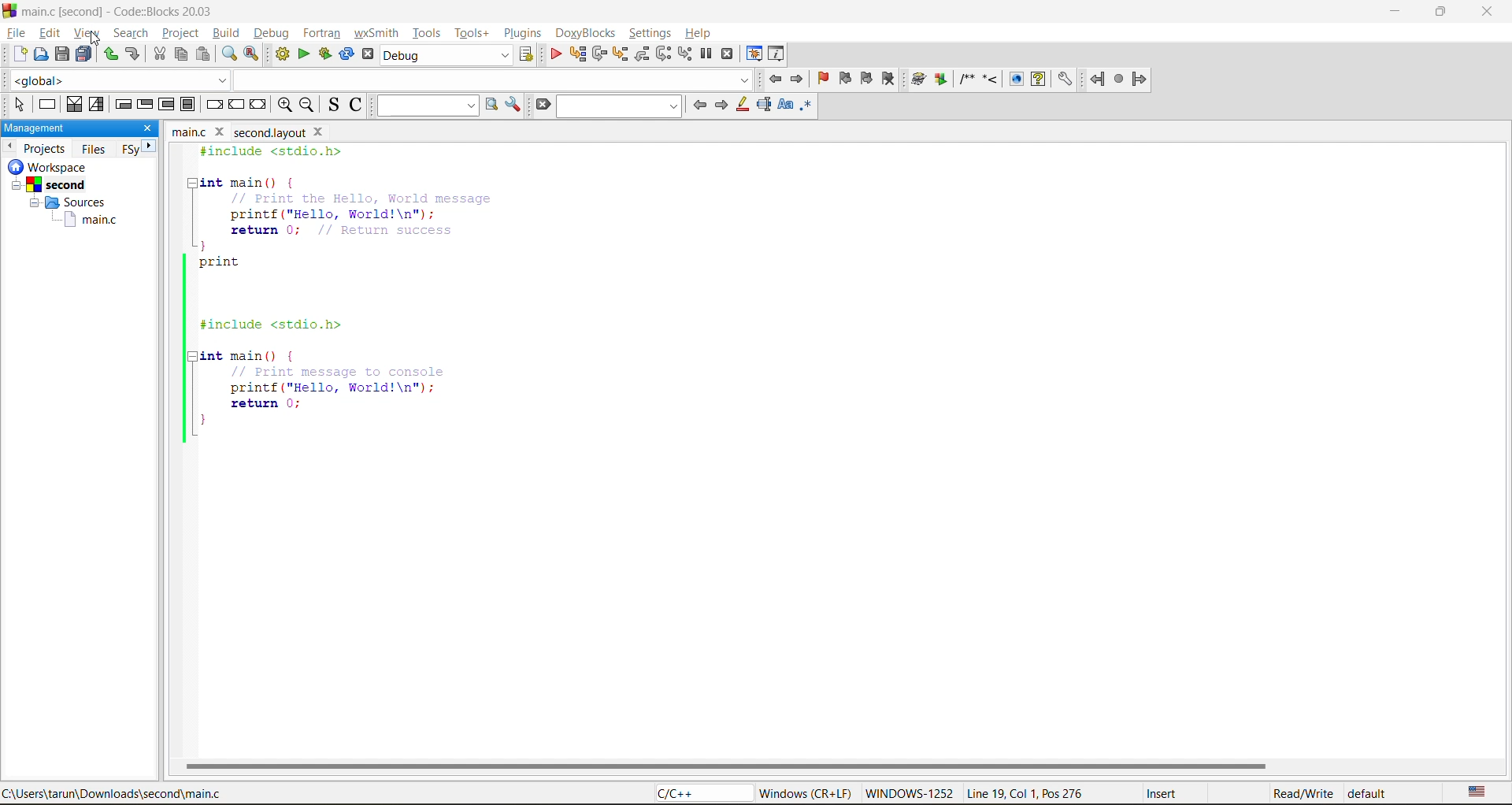 The image size is (1512, 805). What do you see at coordinates (119, 9) in the screenshot?
I see `app name and file name` at bounding box center [119, 9].